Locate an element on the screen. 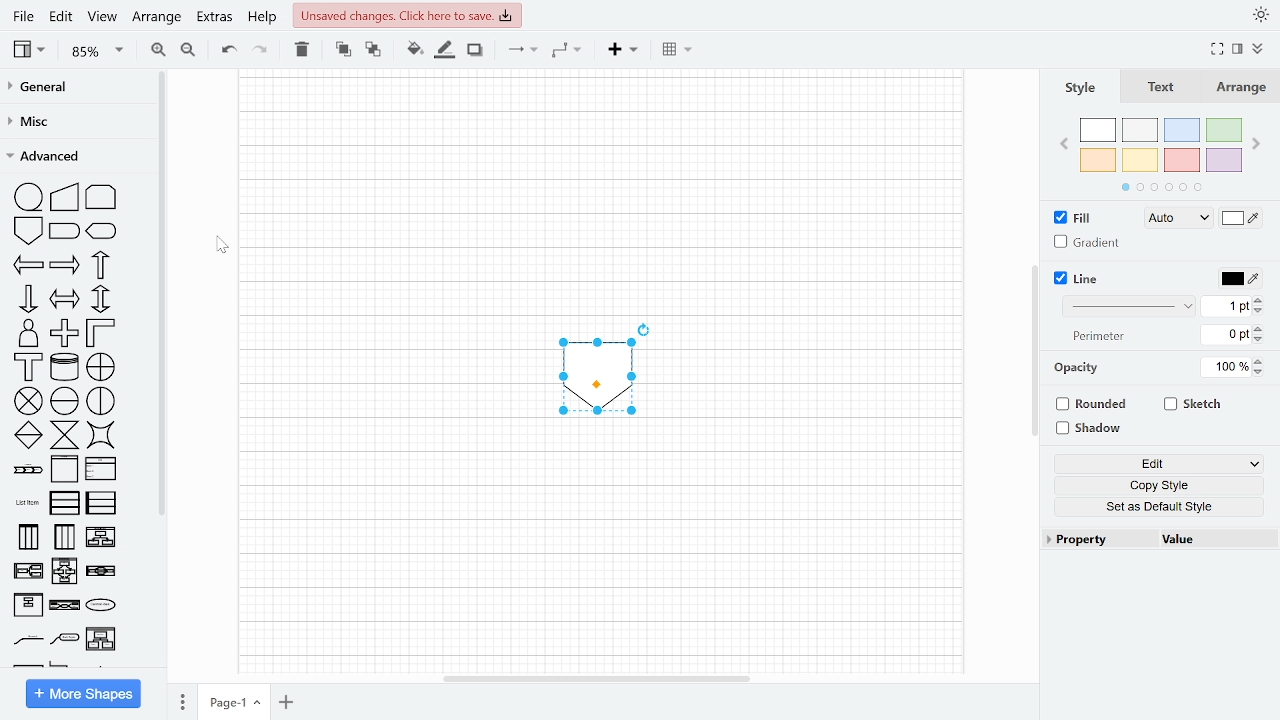 The image size is (1280, 720). violet is located at coordinates (1224, 159).